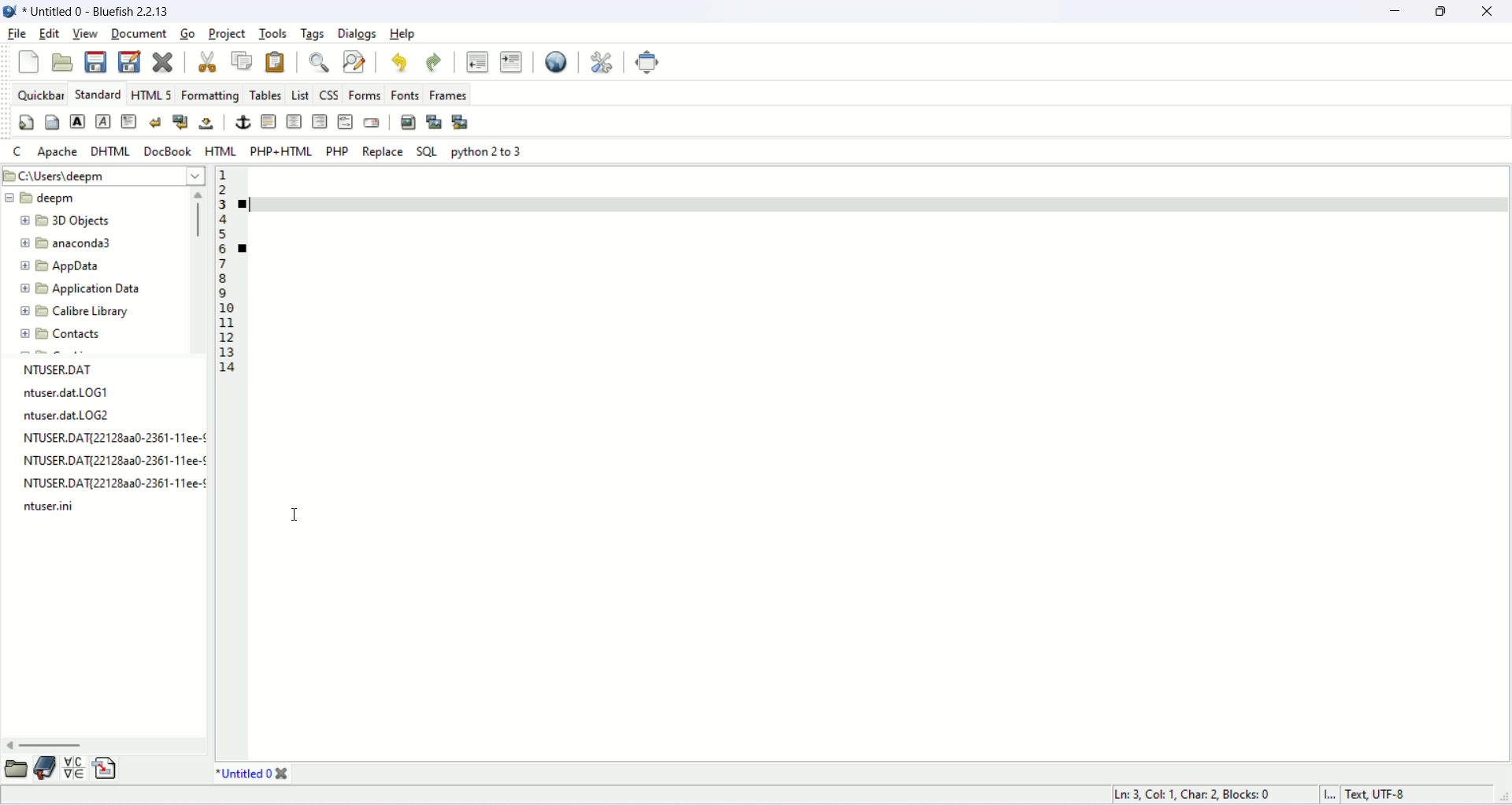 This screenshot has width=1512, height=805. What do you see at coordinates (26, 122) in the screenshot?
I see `quickstart` at bounding box center [26, 122].